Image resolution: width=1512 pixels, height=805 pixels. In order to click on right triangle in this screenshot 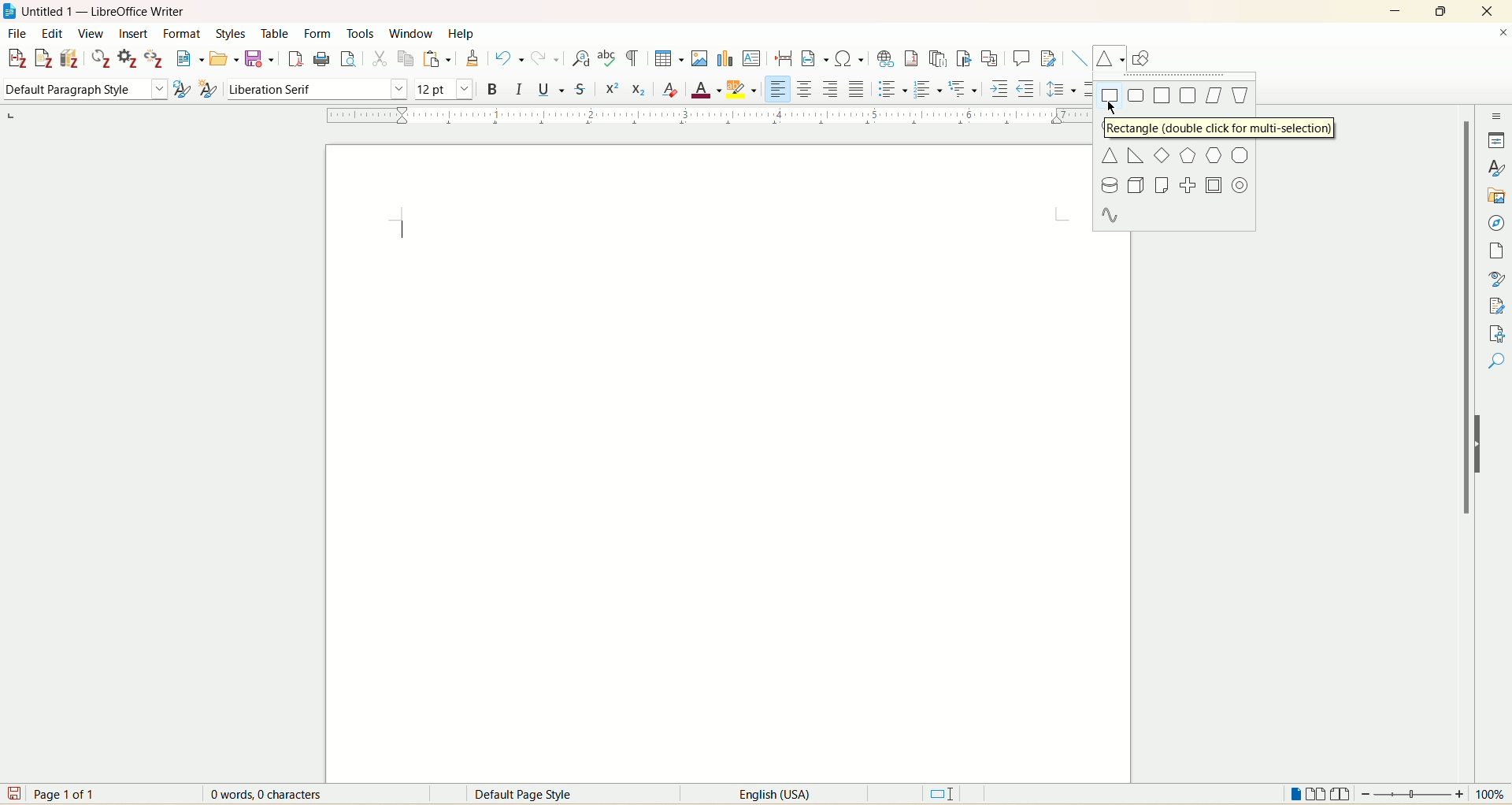, I will do `click(1137, 155)`.